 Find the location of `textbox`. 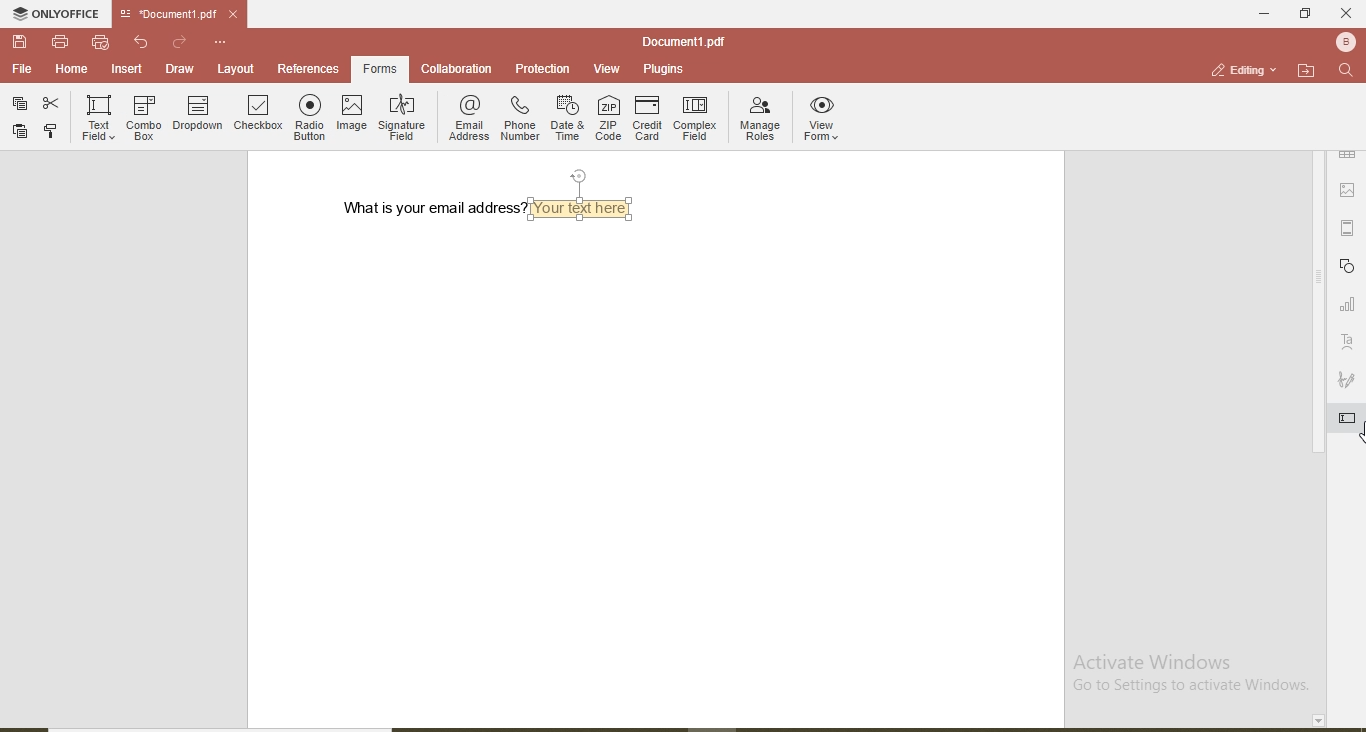

textbox is located at coordinates (582, 208).